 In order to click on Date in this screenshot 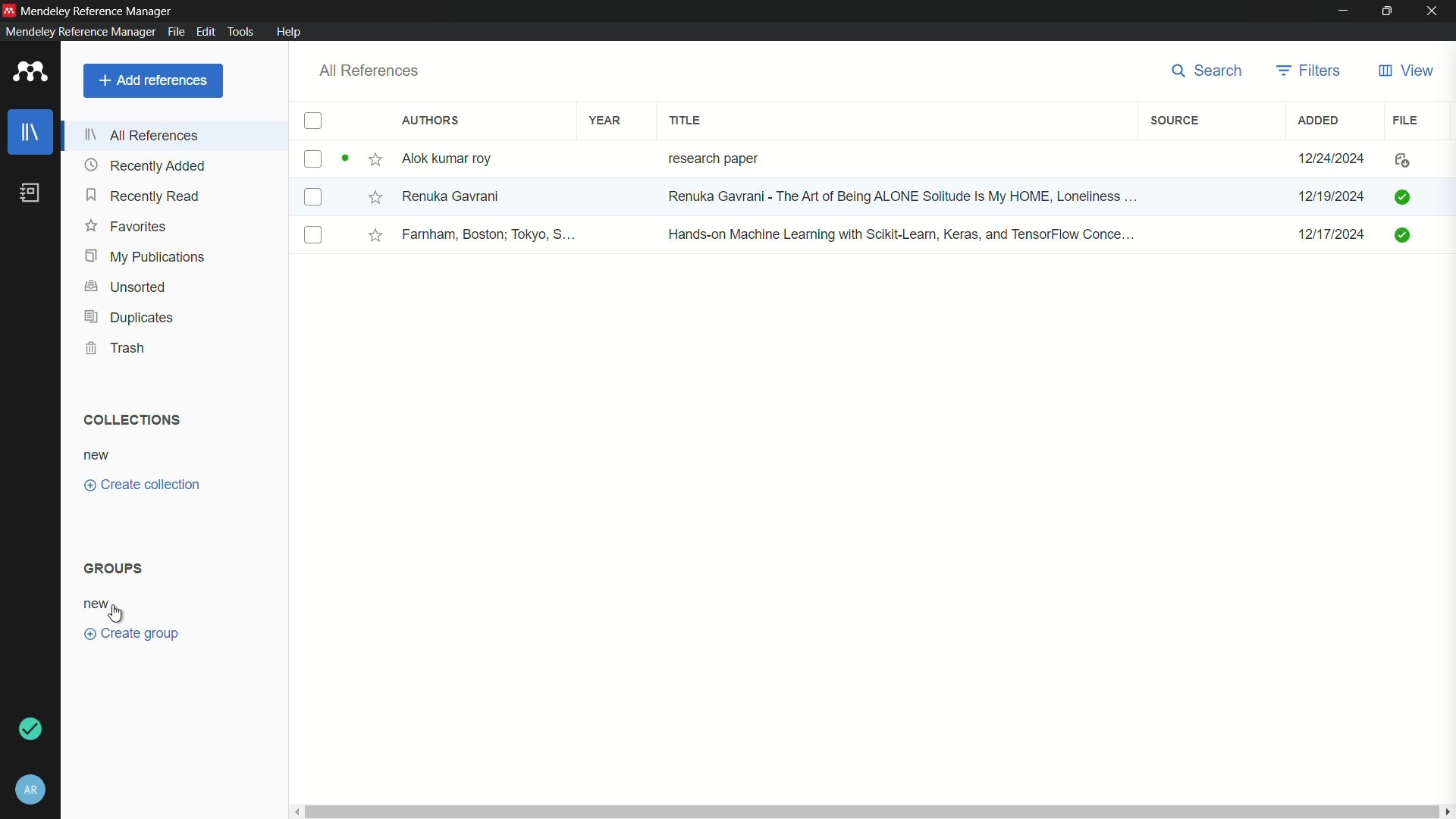, I will do `click(1329, 197)`.